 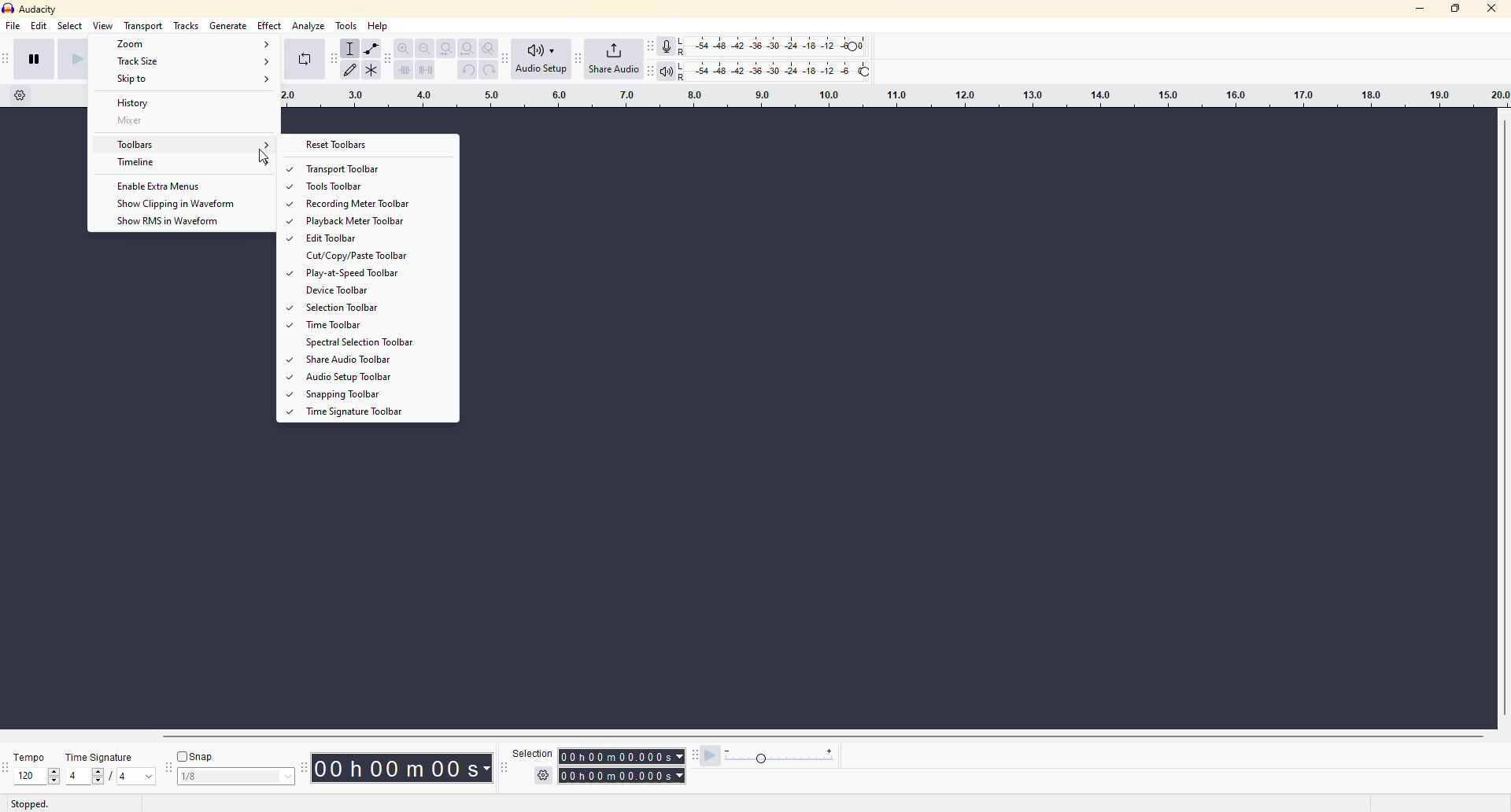 I want to click on time, so click(x=404, y=766).